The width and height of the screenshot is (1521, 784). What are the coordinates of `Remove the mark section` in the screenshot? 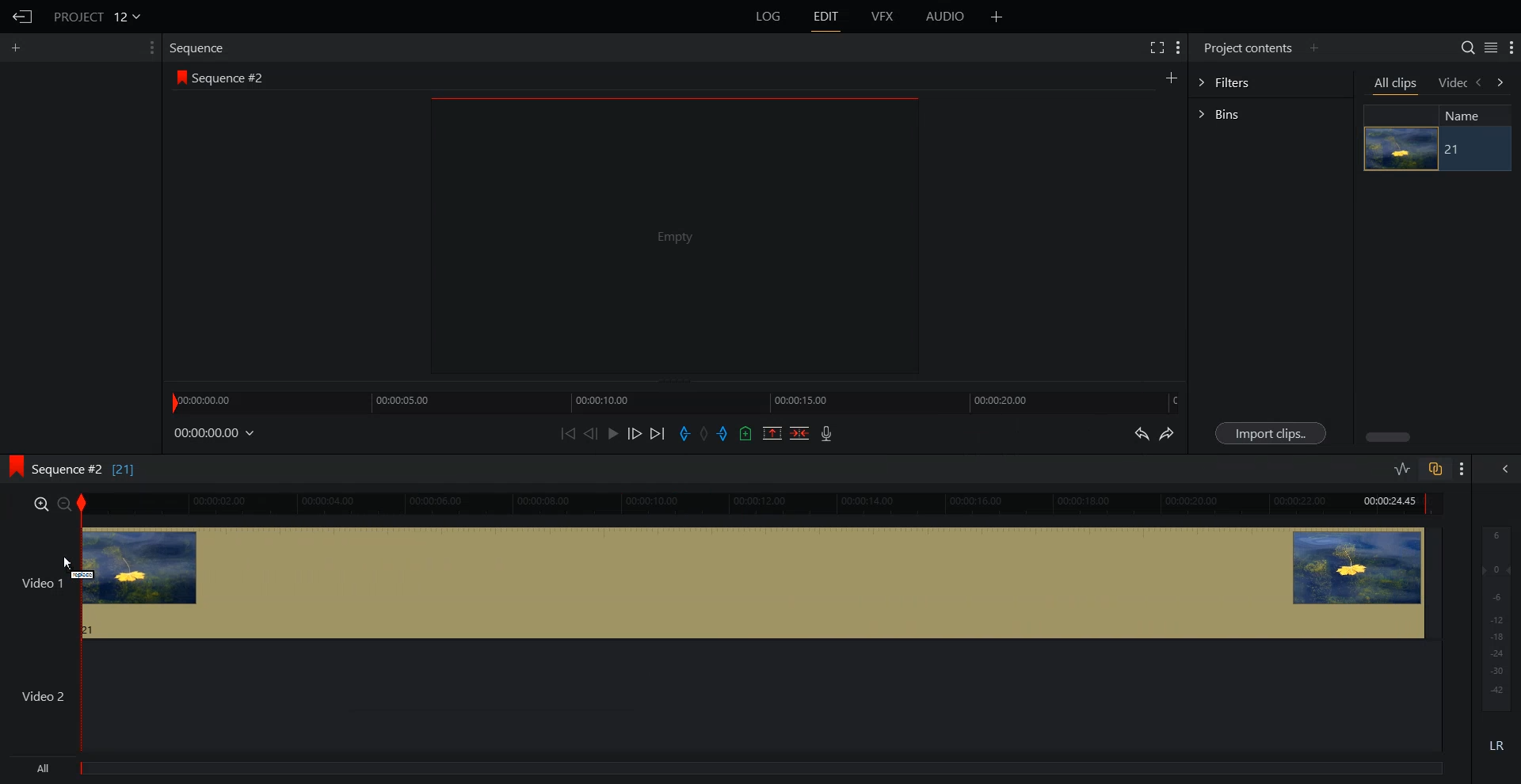 It's located at (772, 432).